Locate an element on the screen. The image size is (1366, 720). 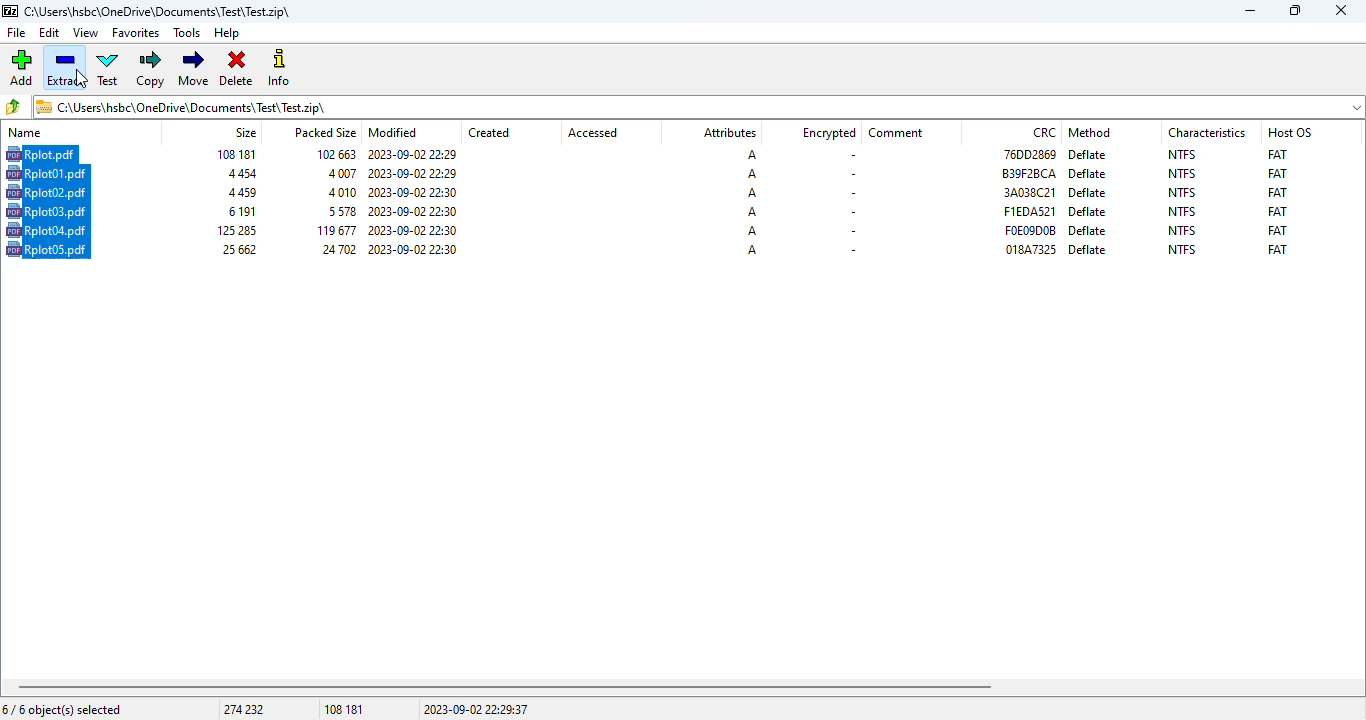
packed size is located at coordinates (324, 131).